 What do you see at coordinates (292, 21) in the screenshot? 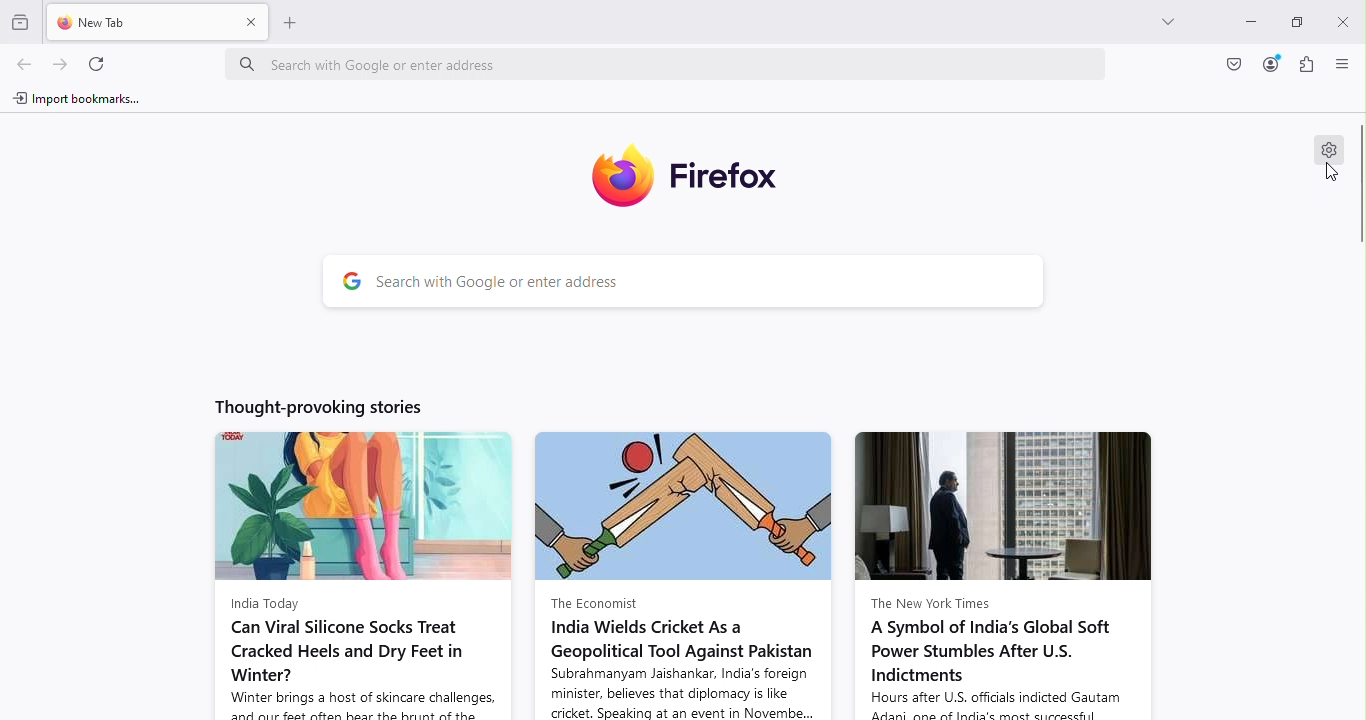
I see `Open a new tab` at bounding box center [292, 21].